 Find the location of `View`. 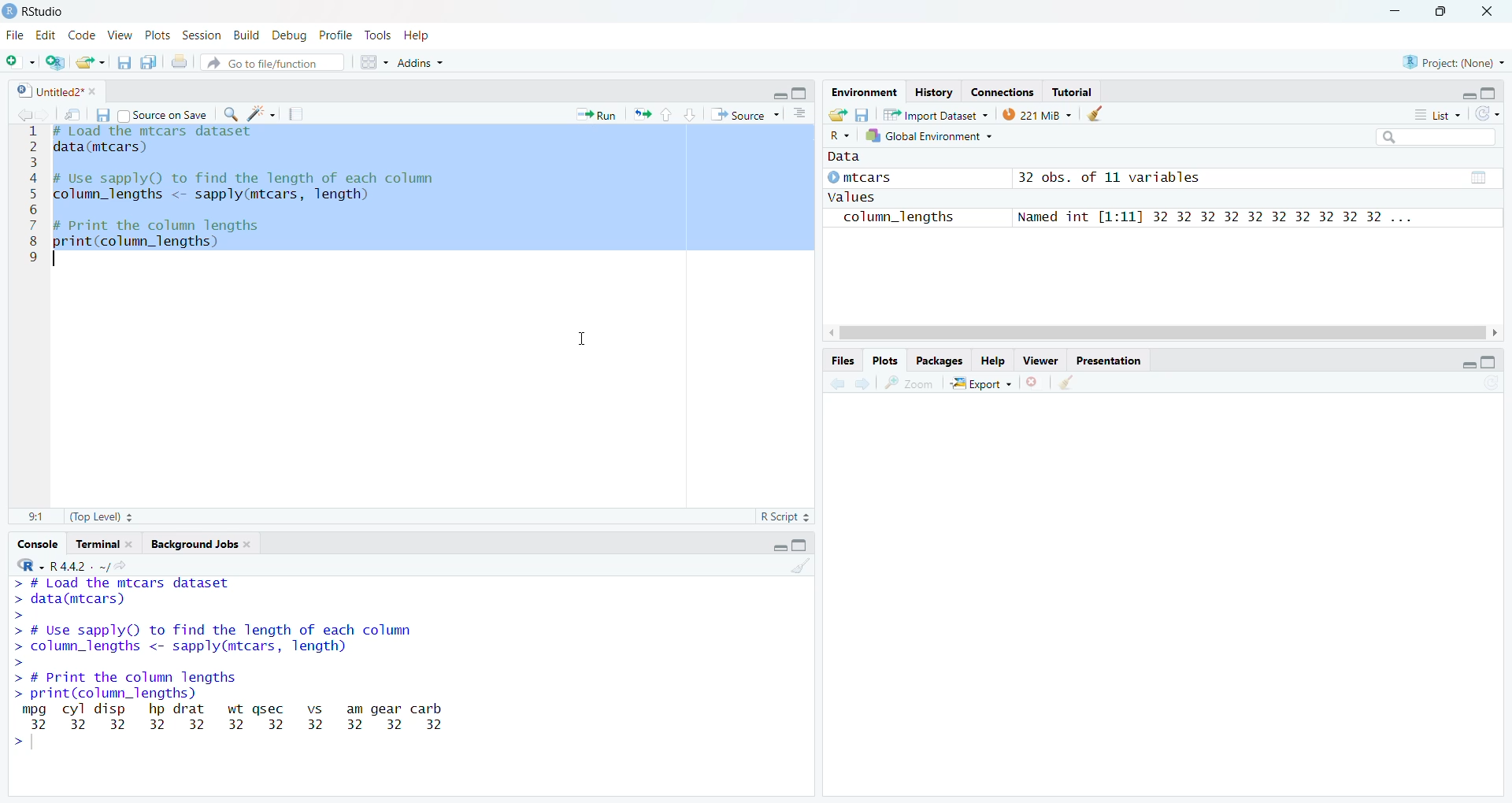

View is located at coordinates (120, 35).